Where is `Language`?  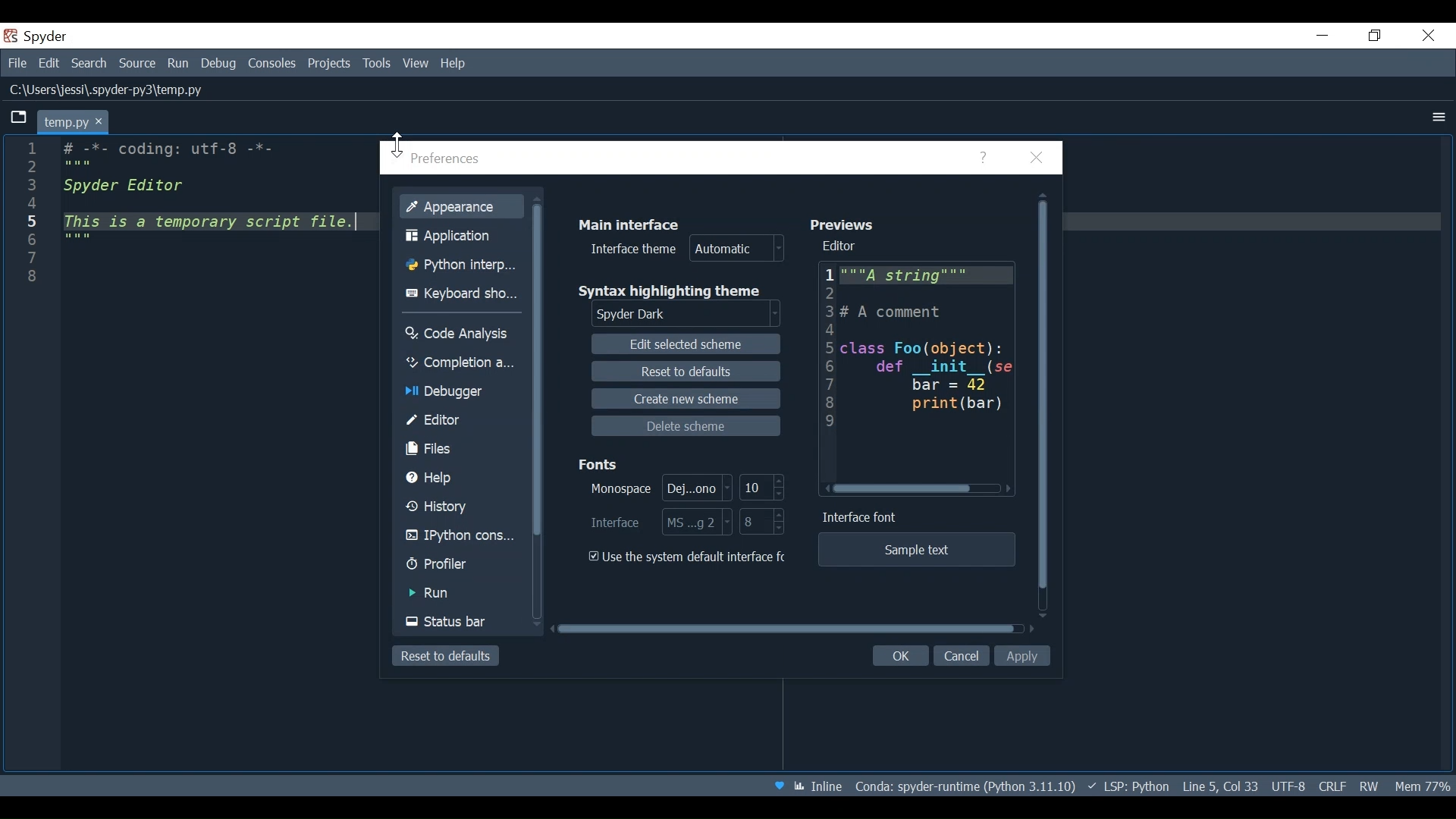
Language is located at coordinates (1126, 786).